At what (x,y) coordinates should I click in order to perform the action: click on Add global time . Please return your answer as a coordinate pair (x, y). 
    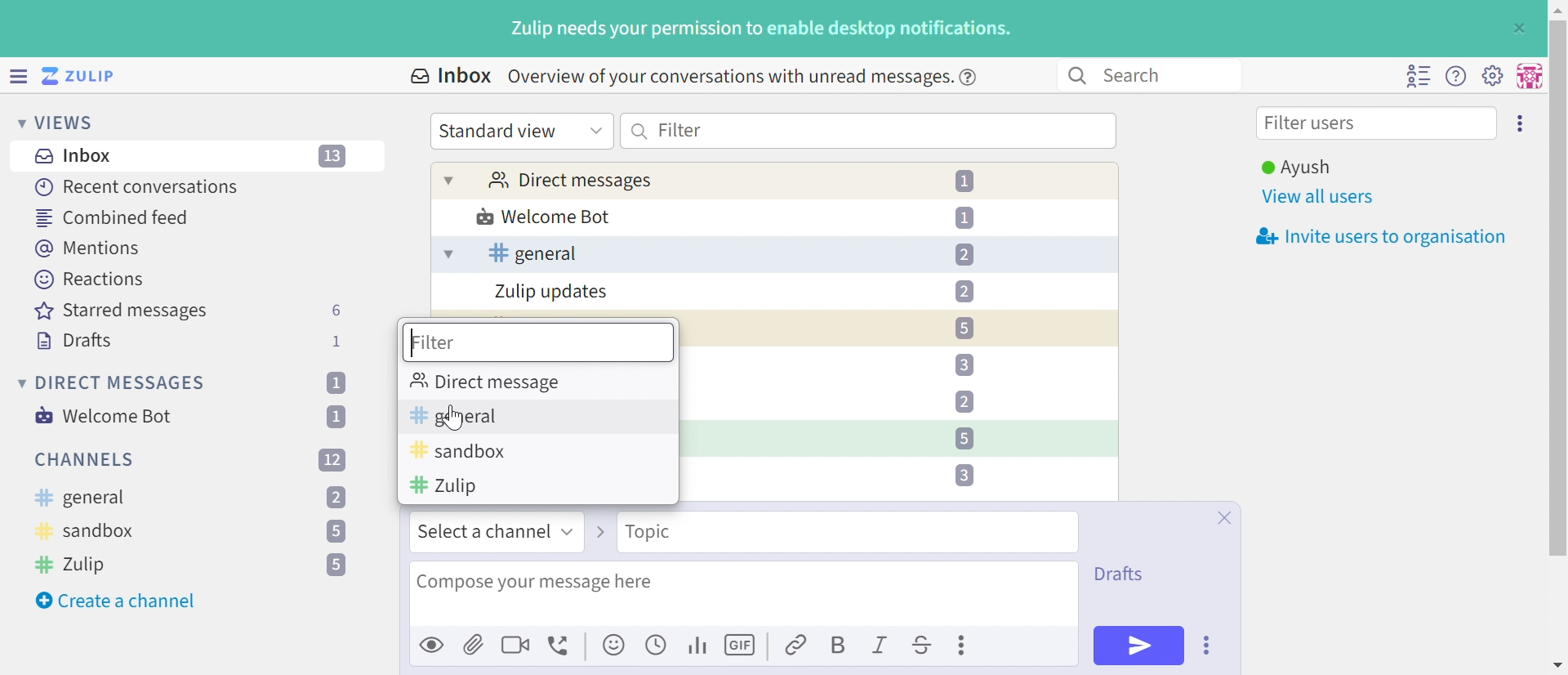
    Looking at the image, I should click on (659, 644).